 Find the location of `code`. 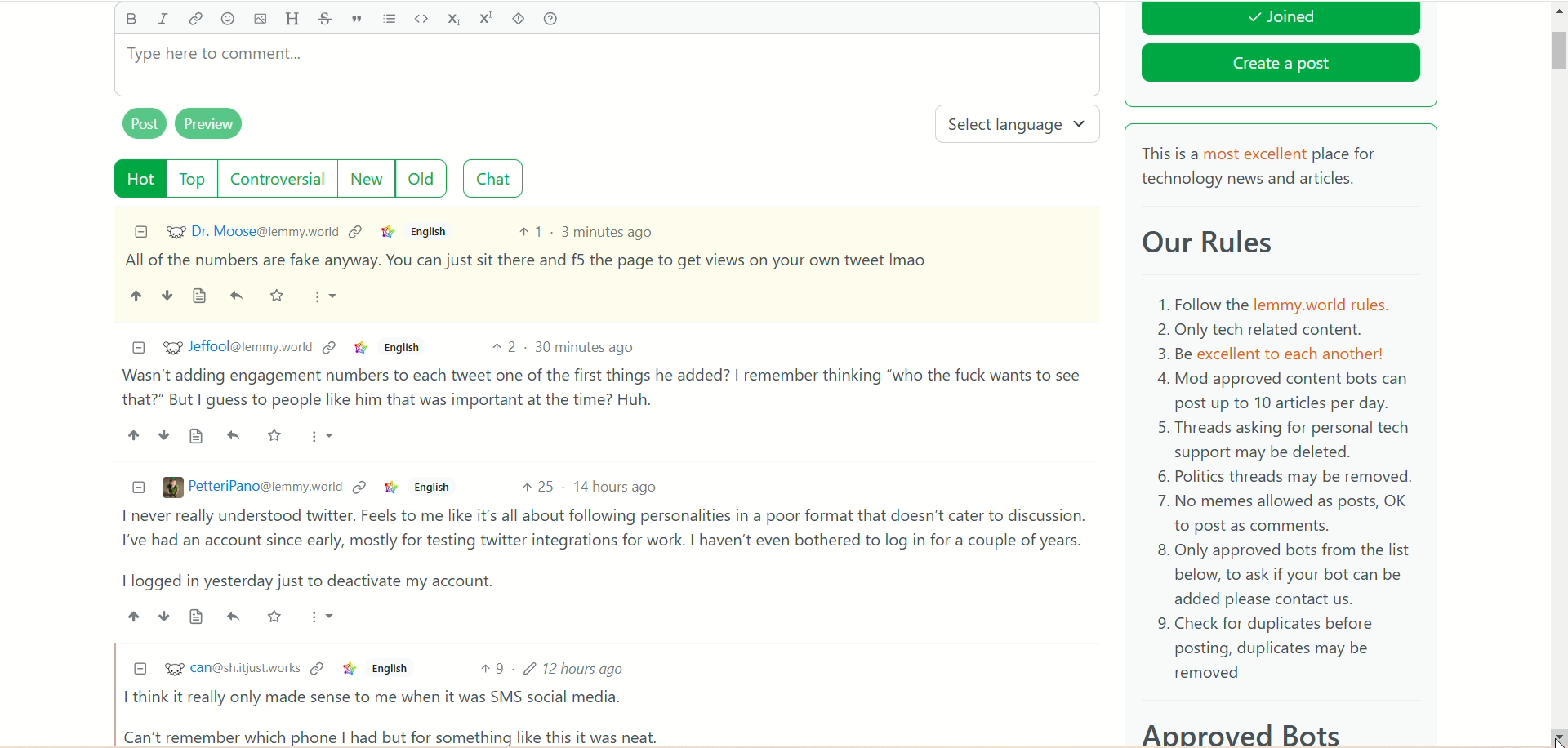

code is located at coordinates (421, 18).